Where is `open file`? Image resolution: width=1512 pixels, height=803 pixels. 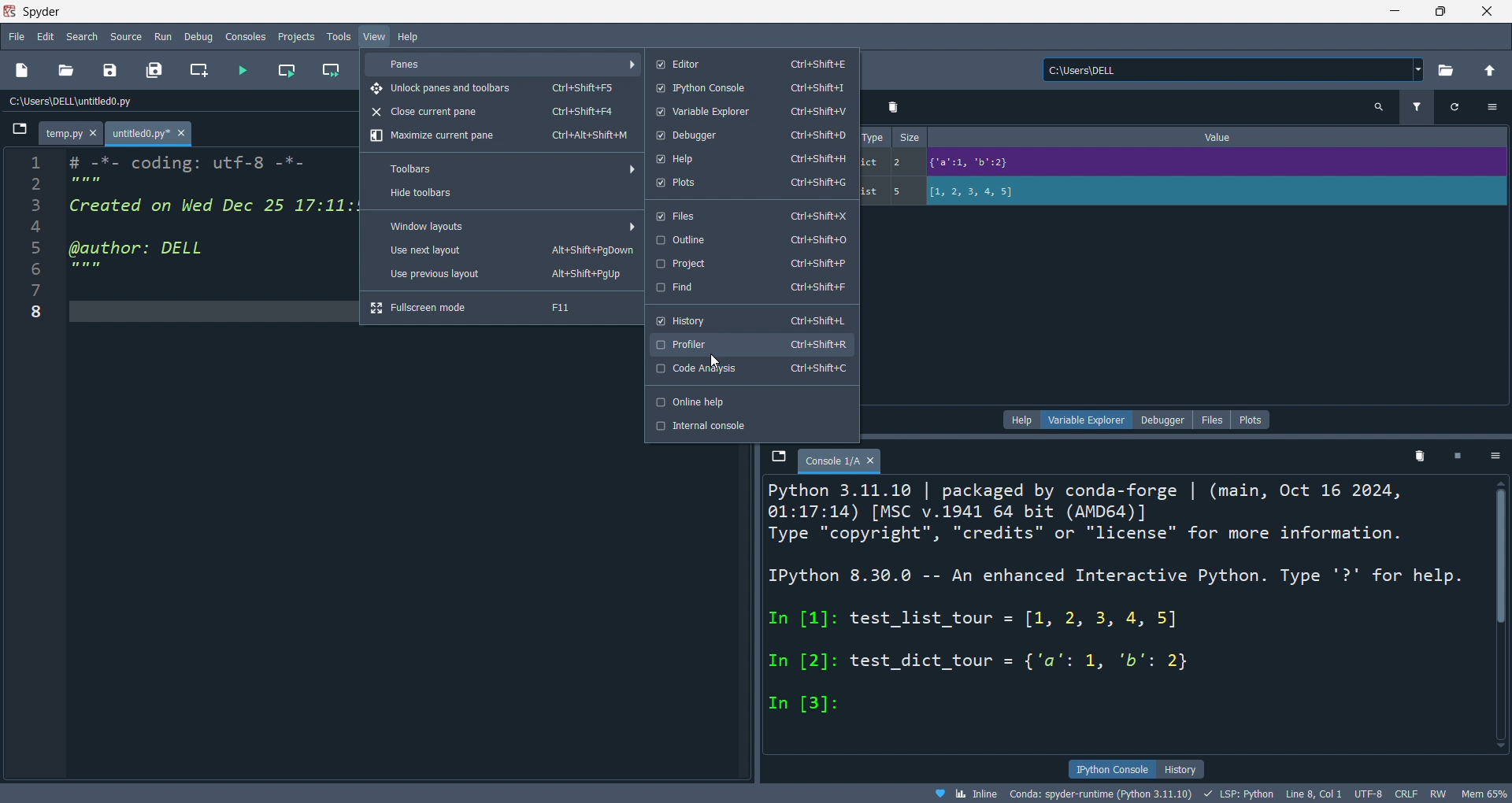 open file is located at coordinates (68, 68).